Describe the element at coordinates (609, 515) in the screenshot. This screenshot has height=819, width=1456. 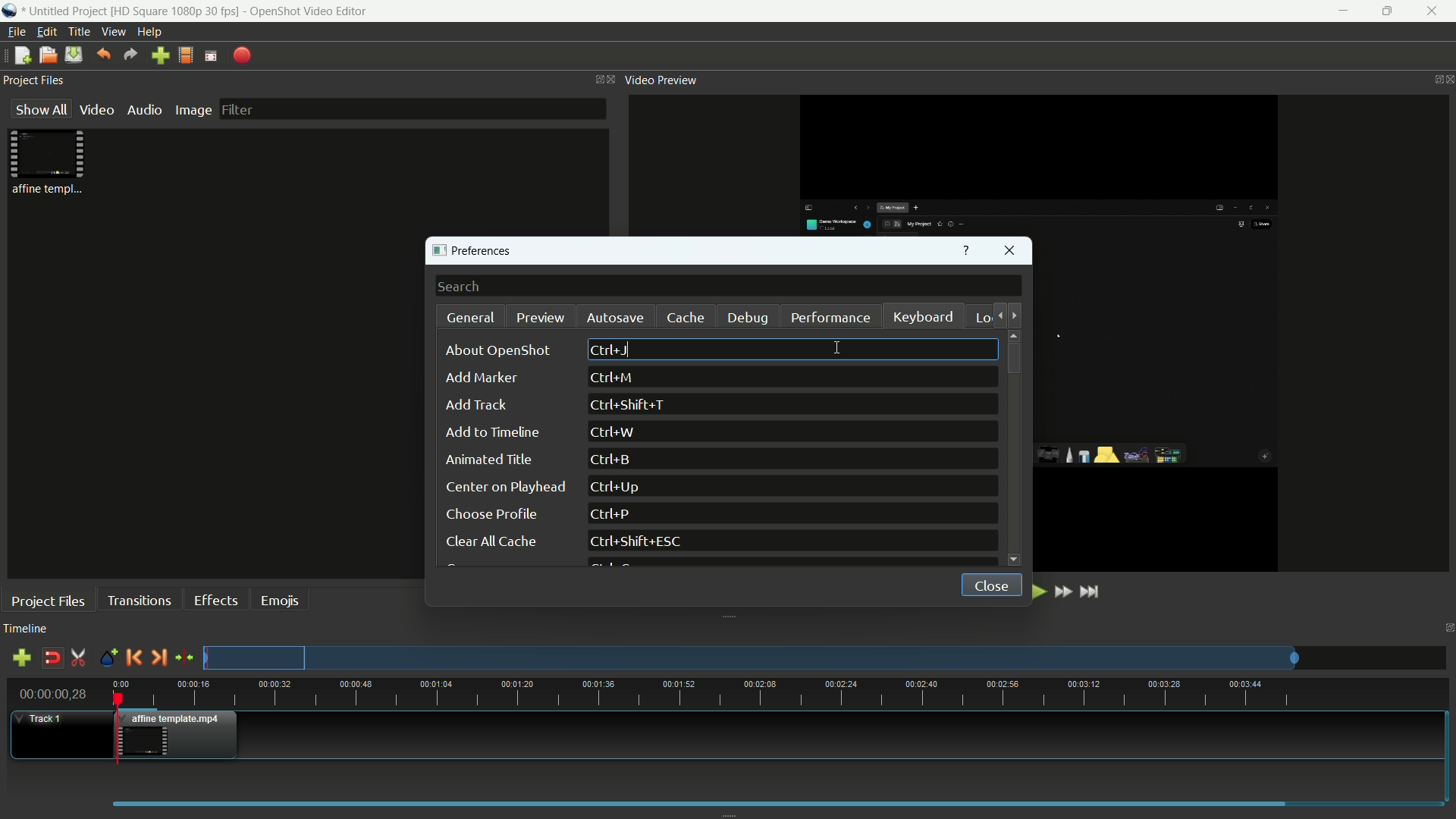
I see `keyboard shortcut` at that location.